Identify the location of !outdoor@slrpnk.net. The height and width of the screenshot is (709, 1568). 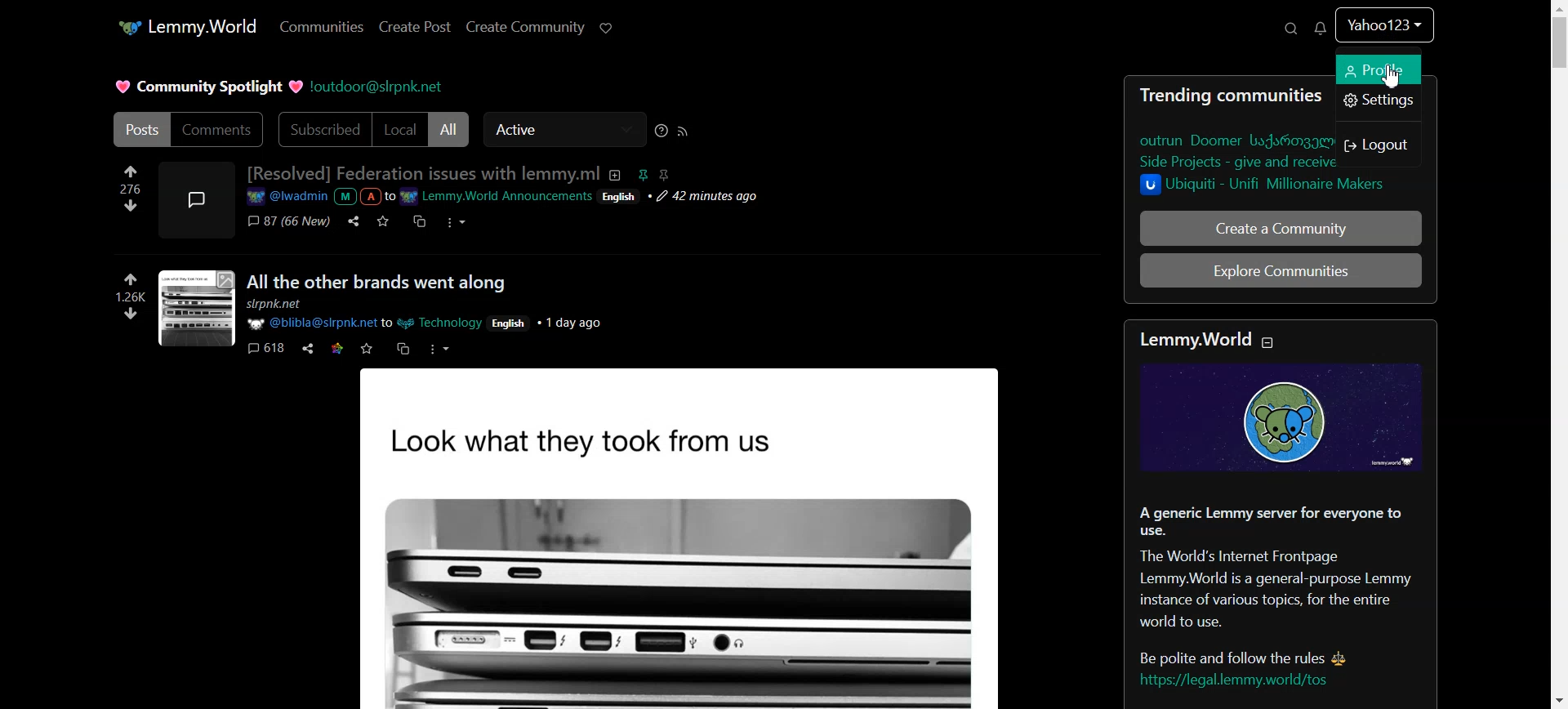
(376, 87).